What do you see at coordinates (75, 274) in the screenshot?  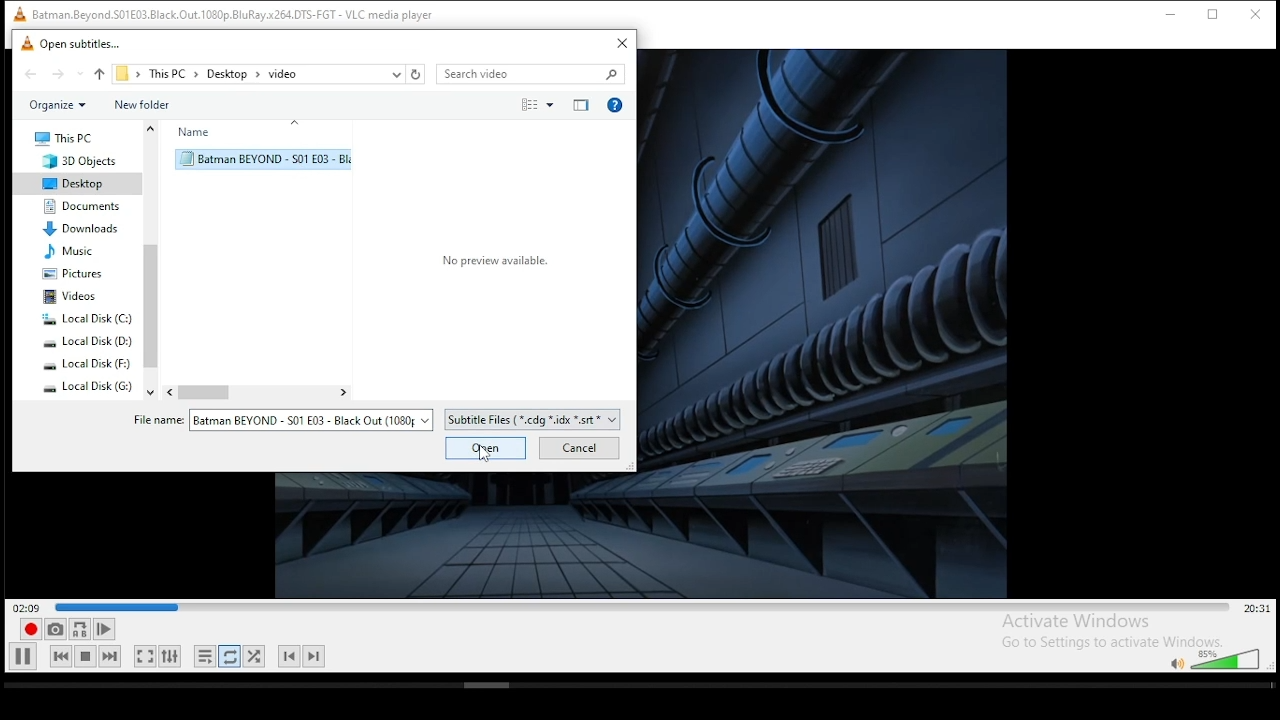 I see `pictures` at bounding box center [75, 274].